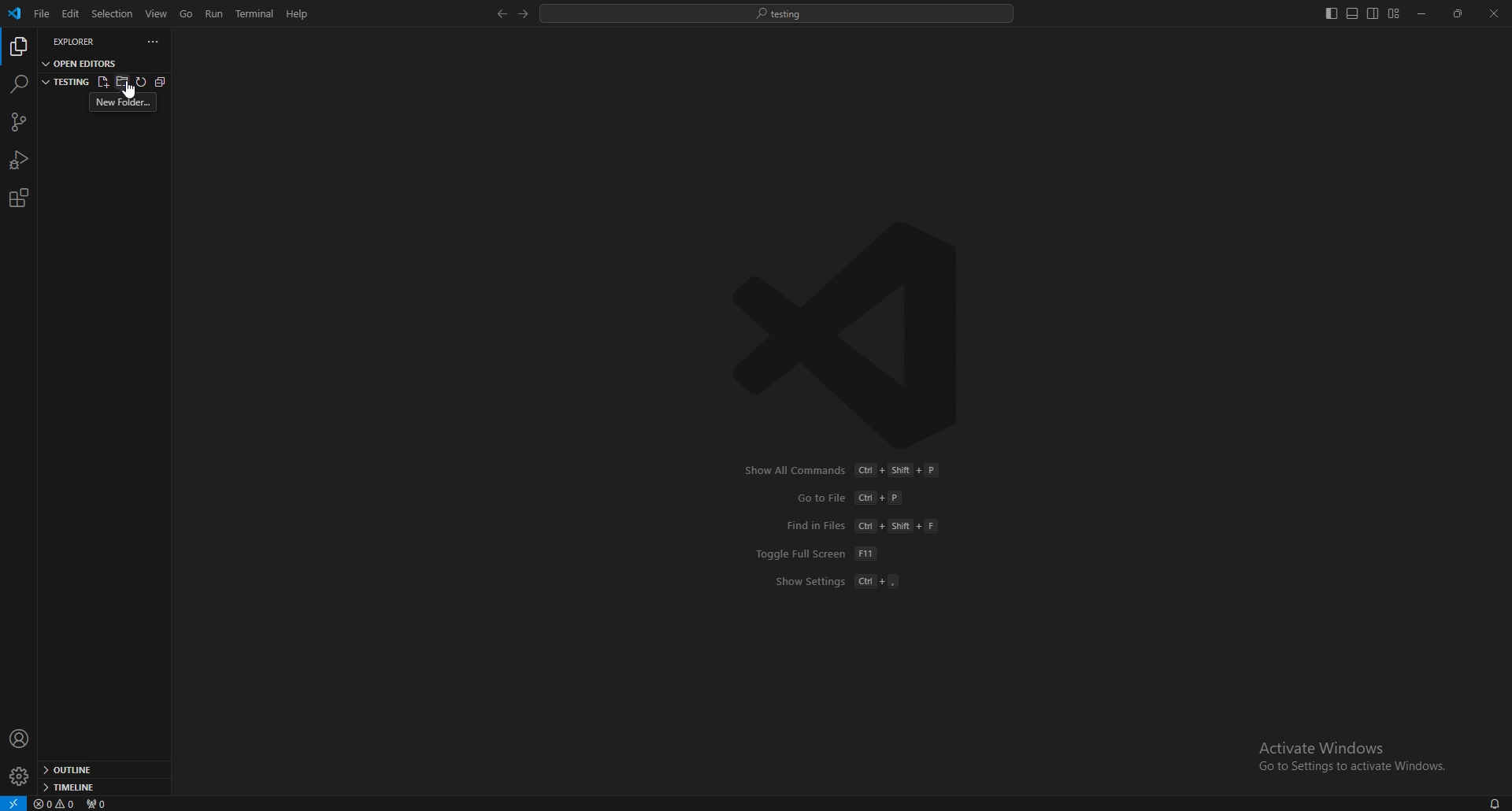  What do you see at coordinates (1494, 13) in the screenshot?
I see `close` at bounding box center [1494, 13].